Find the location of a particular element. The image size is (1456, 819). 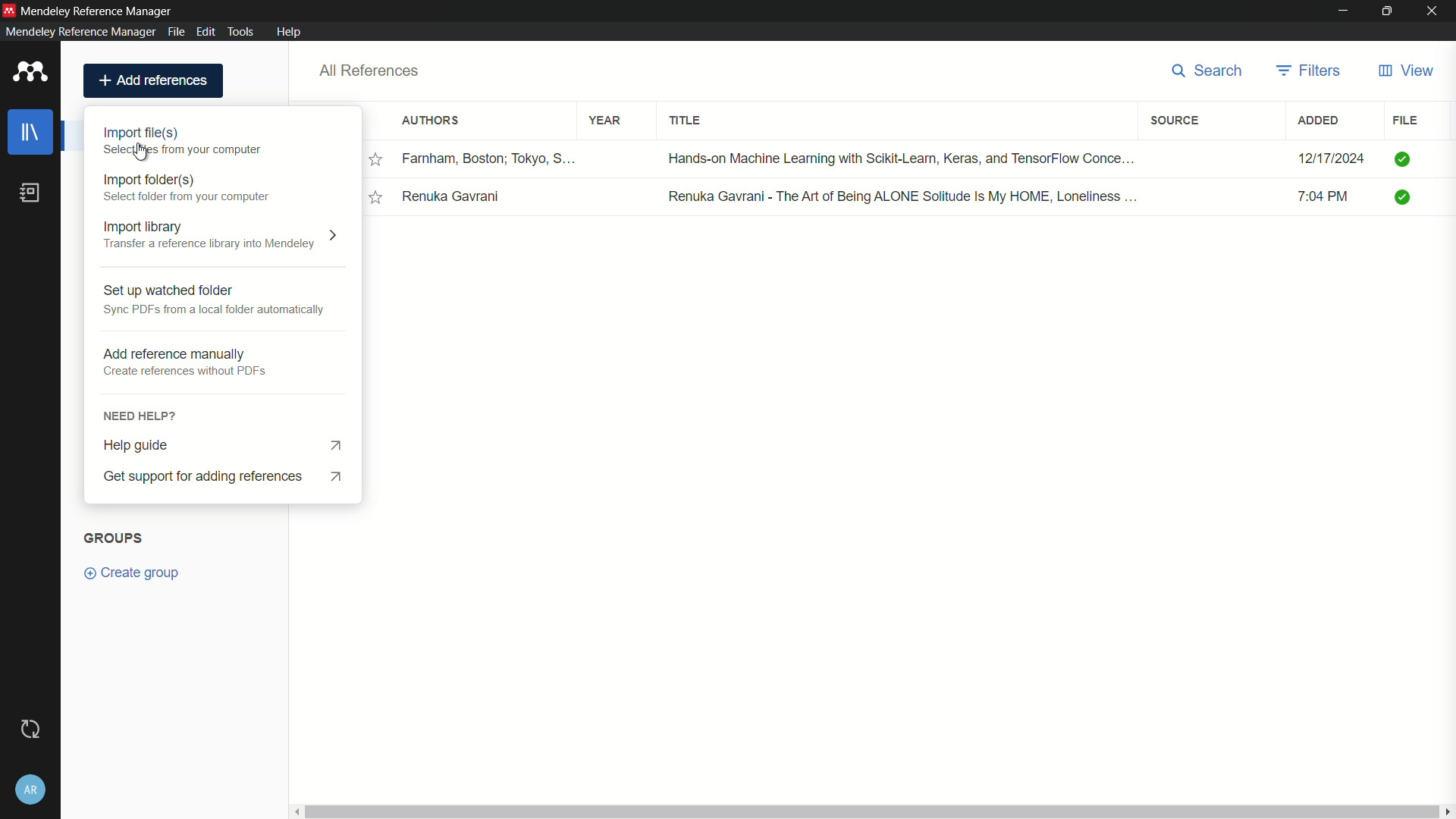

7:04 PM is located at coordinates (1332, 199).